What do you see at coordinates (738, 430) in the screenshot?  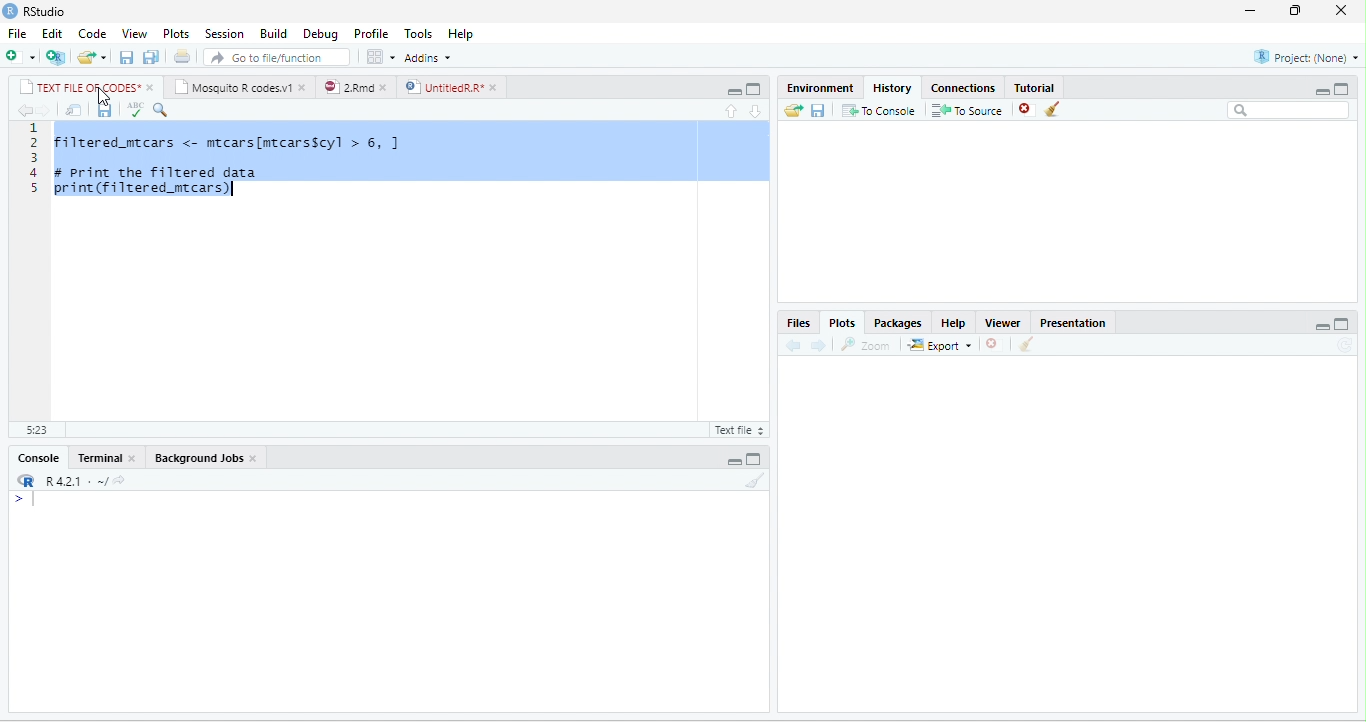 I see `R script` at bounding box center [738, 430].